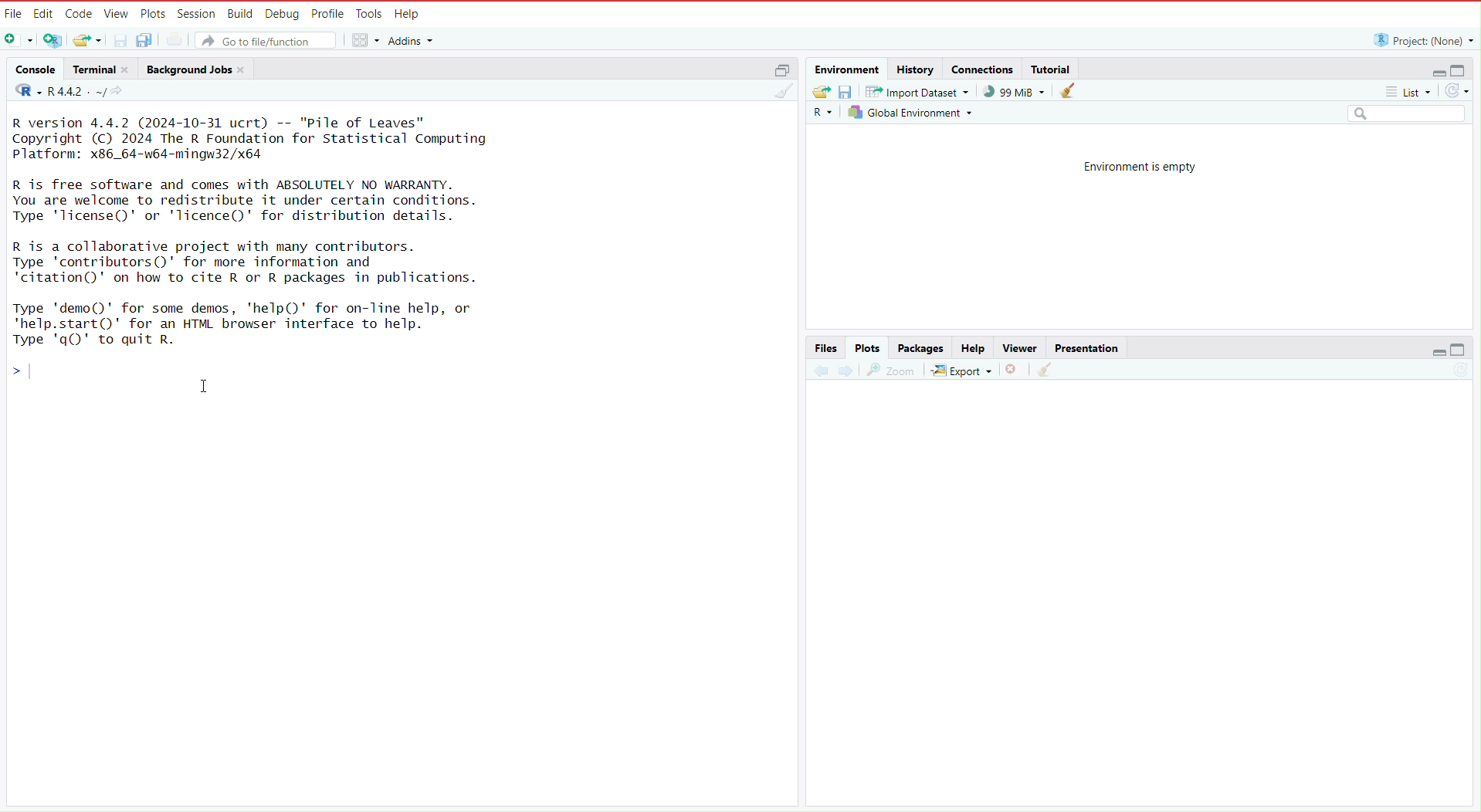  Describe the element at coordinates (1015, 370) in the screenshot. I see `remove the current plot` at that location.